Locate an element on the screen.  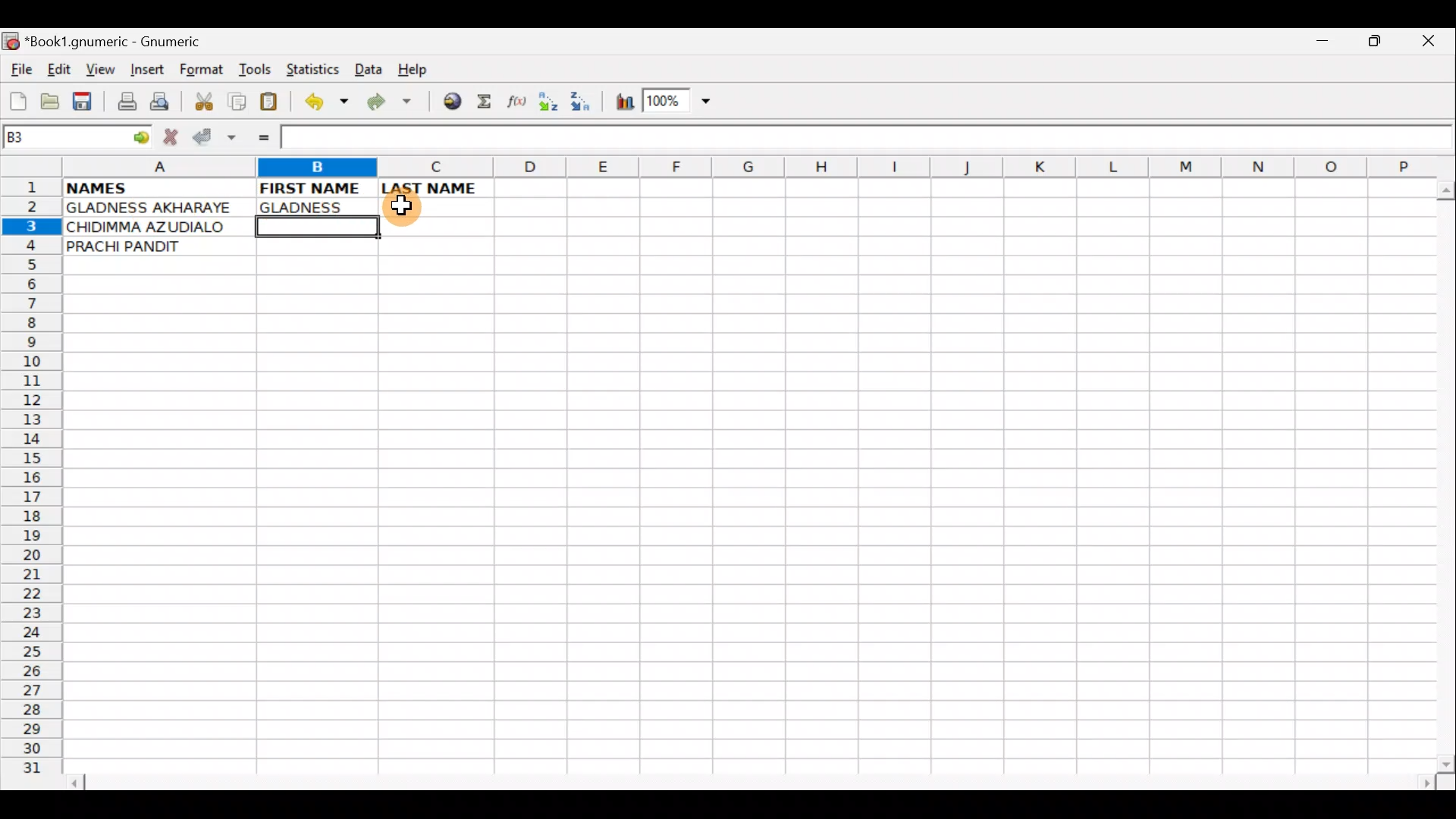
Copy selection is located at coordinates (238, 101).